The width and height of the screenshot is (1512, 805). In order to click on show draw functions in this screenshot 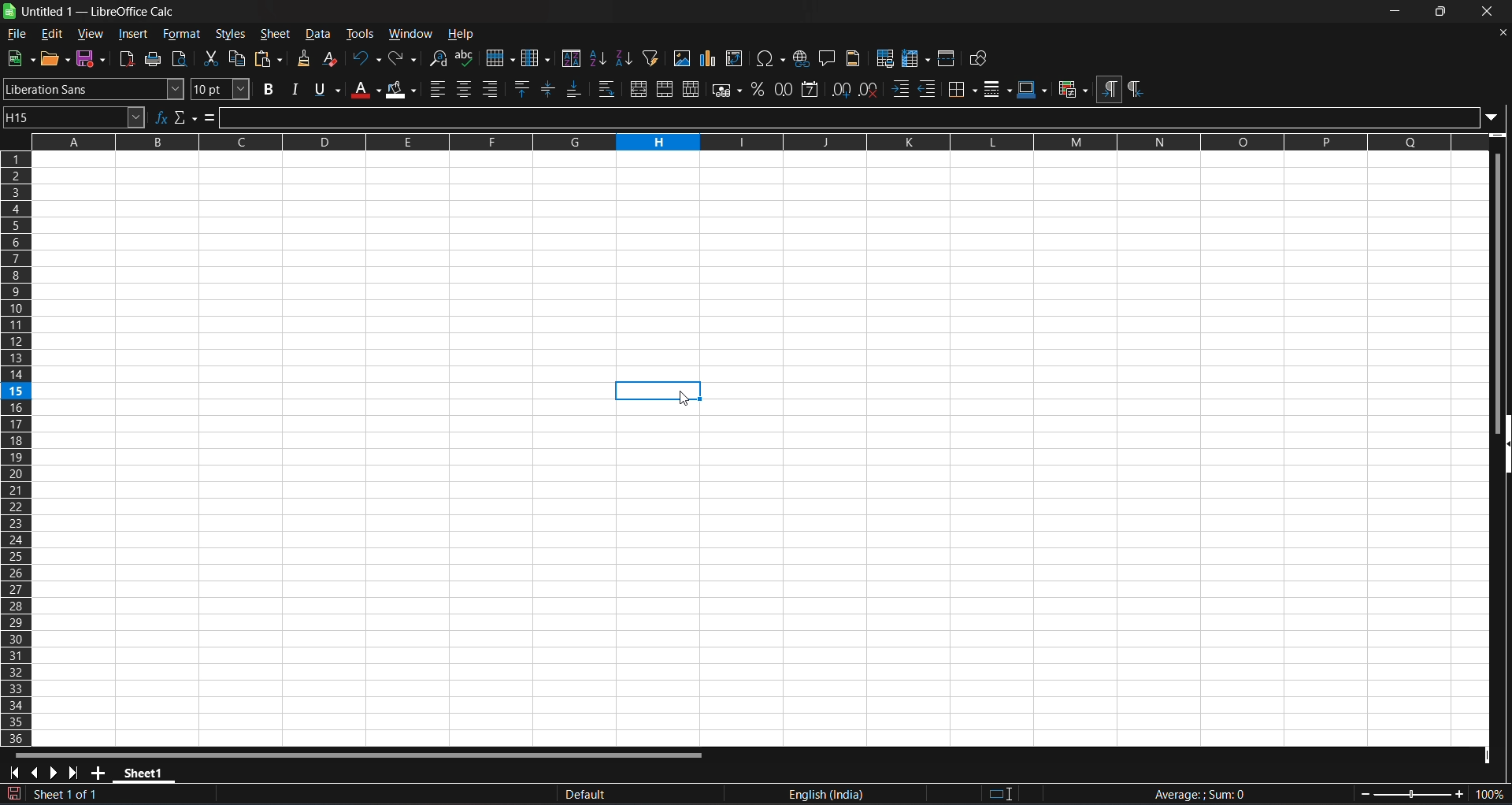, I will do `click(978, 57)`.